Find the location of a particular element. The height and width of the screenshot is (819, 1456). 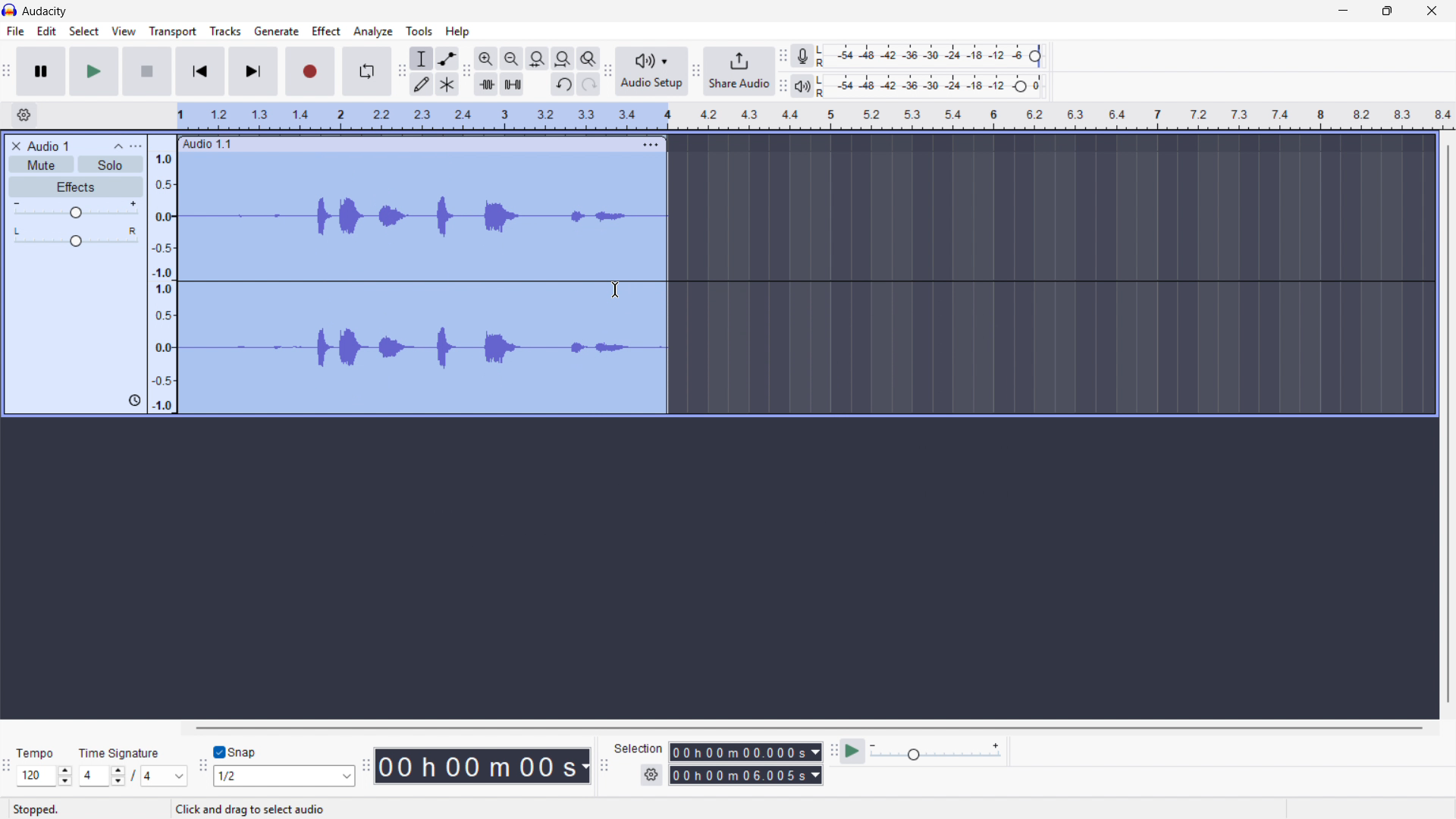

Timeline is located at coordinates (816, 116).